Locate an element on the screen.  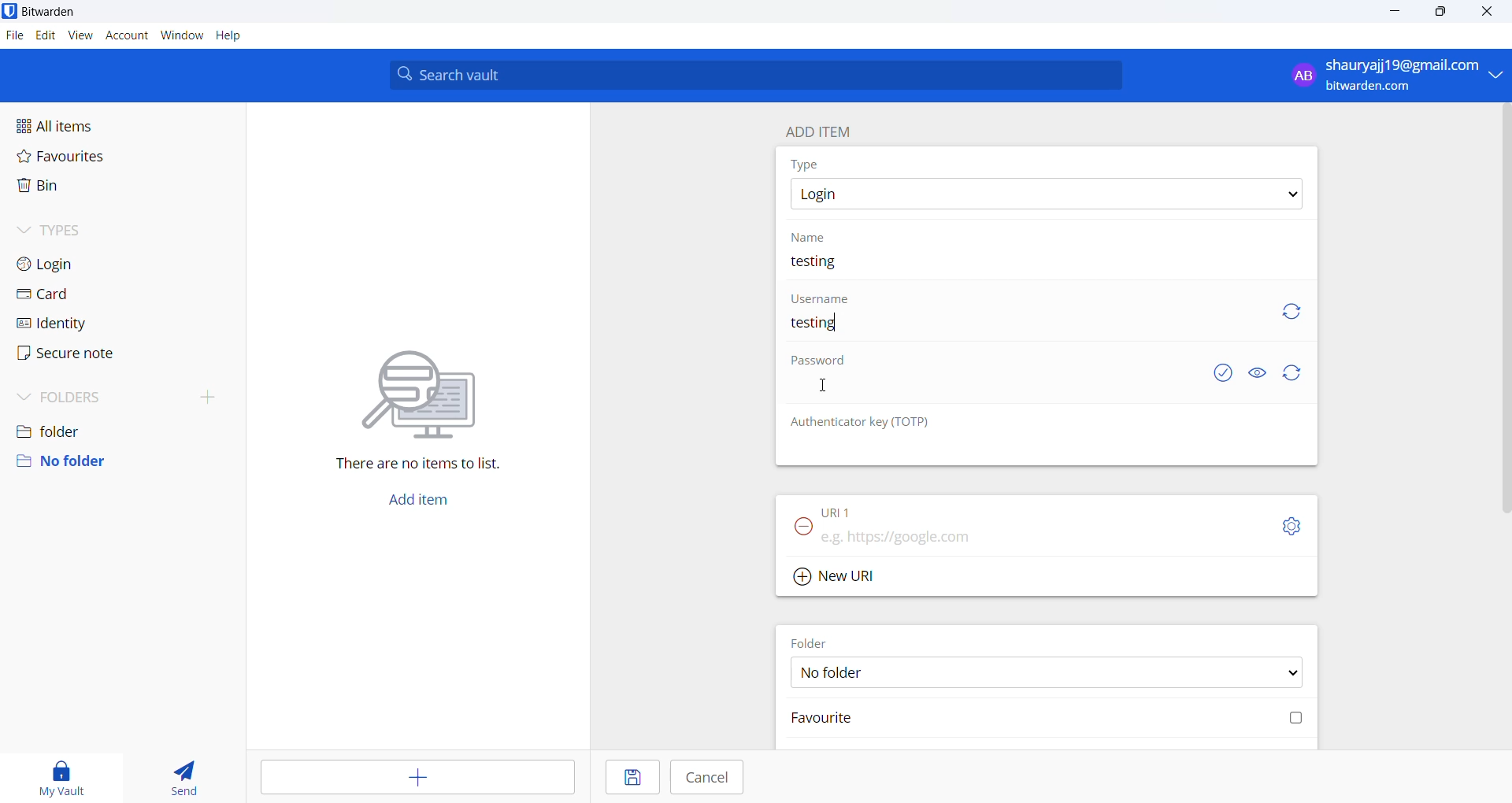
FOLDER is located at coordinates (813, 642).